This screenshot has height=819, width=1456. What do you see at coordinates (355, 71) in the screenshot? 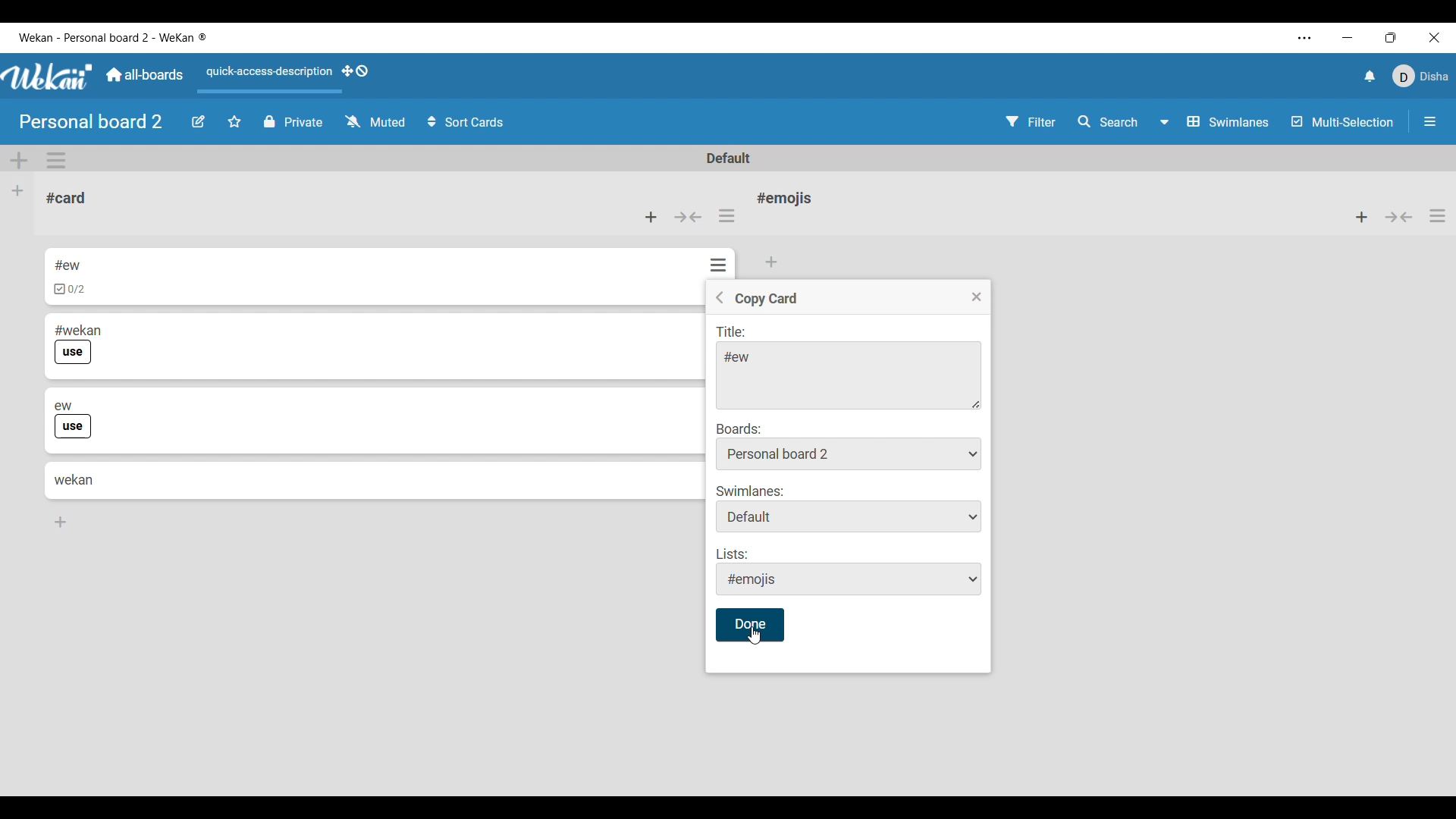
I see `Show desktop drag handles` at bounding box center [355, 71].